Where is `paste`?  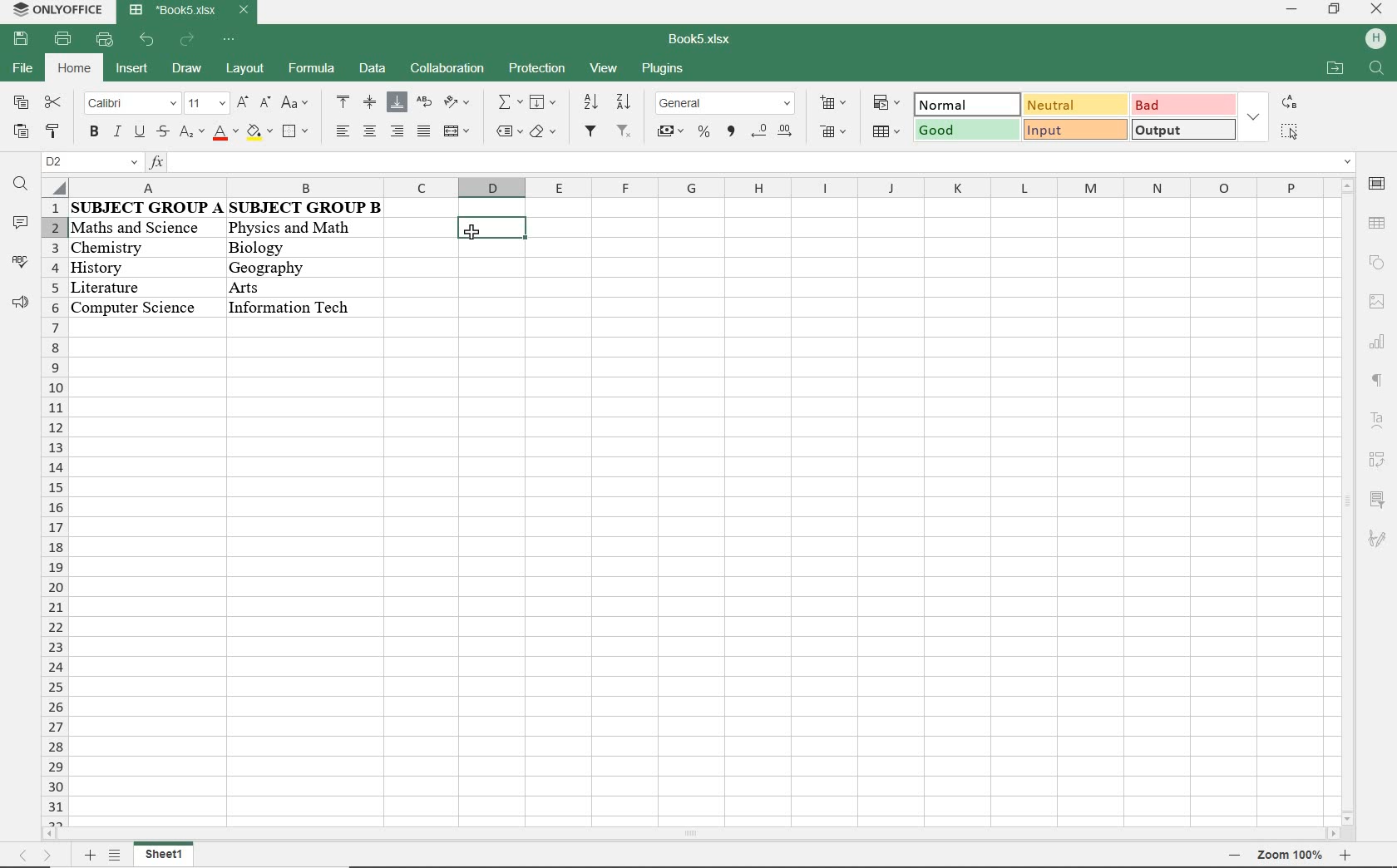
paste is located at coordinates (19, 132).